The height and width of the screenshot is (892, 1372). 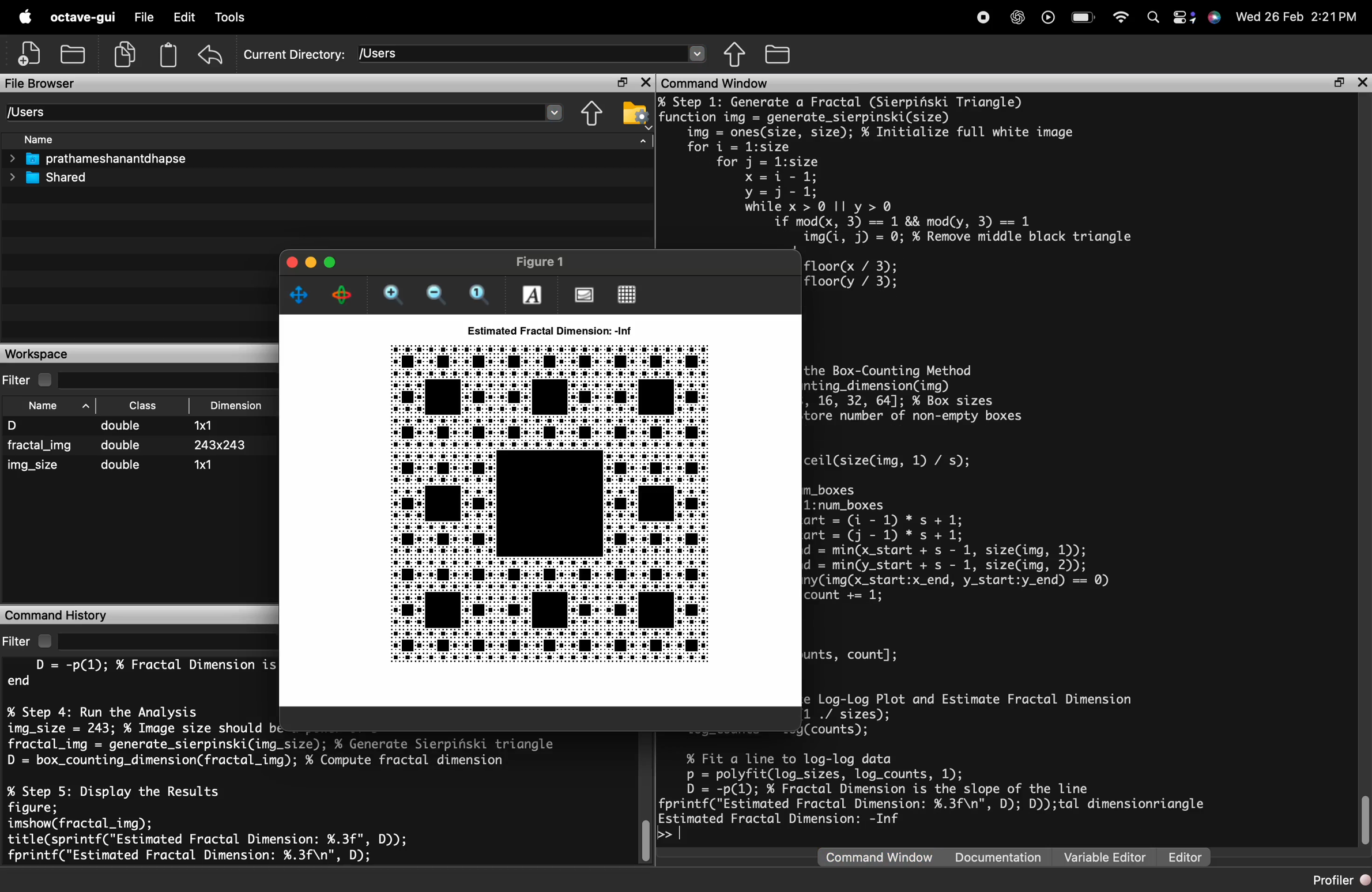 I want to click on File, so click(x=141, y=14).